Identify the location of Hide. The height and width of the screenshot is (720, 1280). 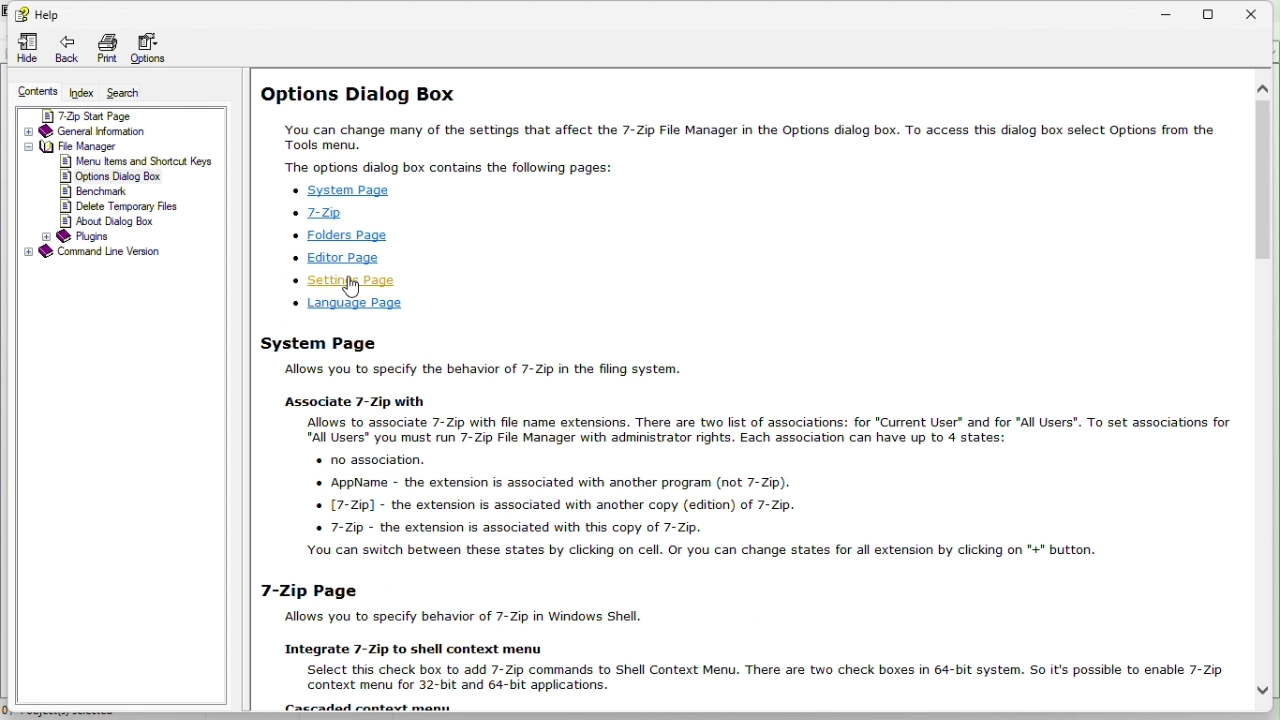
(27, 49).